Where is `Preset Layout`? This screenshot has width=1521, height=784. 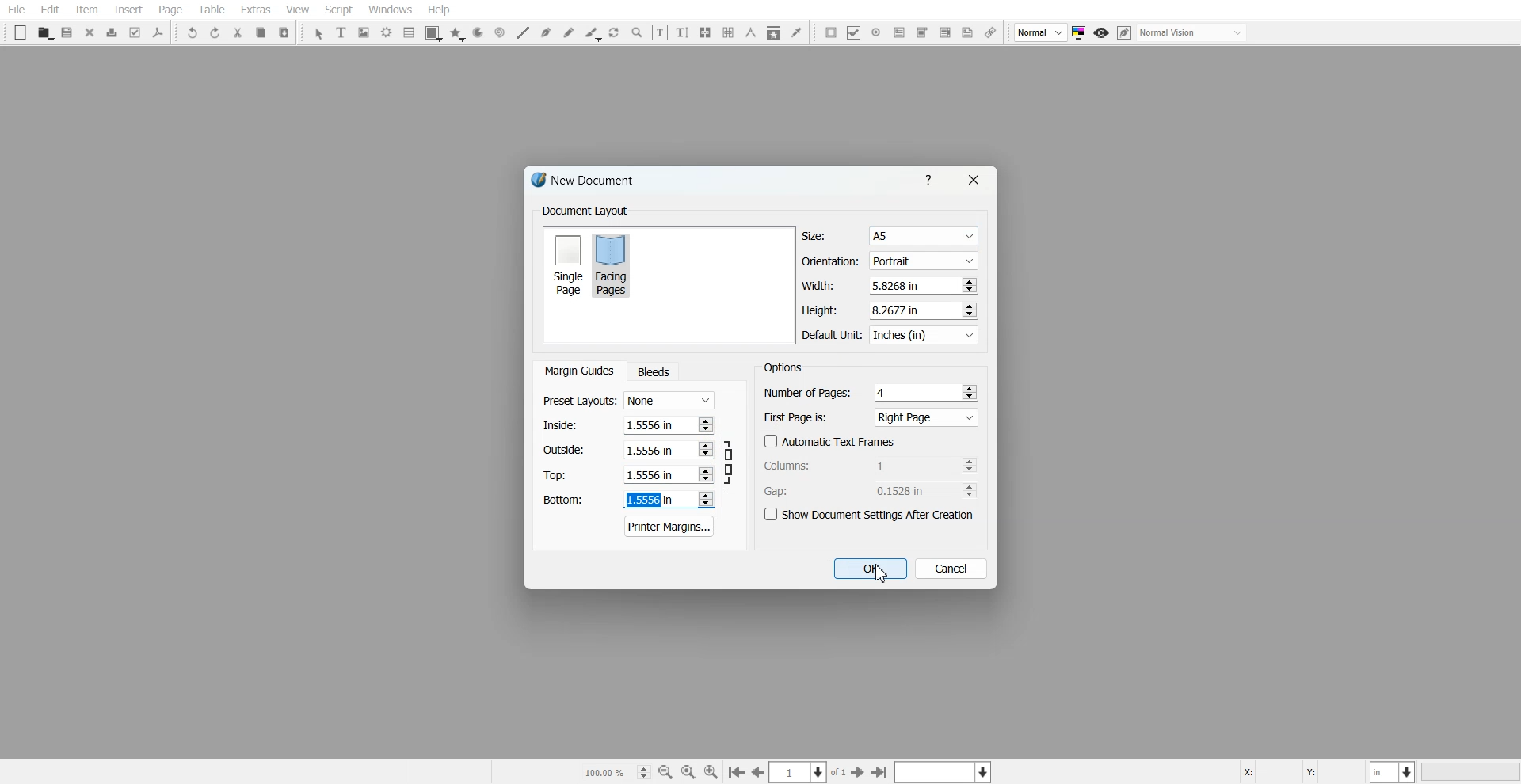
Preset Layout is located at coordinates (628, 401).